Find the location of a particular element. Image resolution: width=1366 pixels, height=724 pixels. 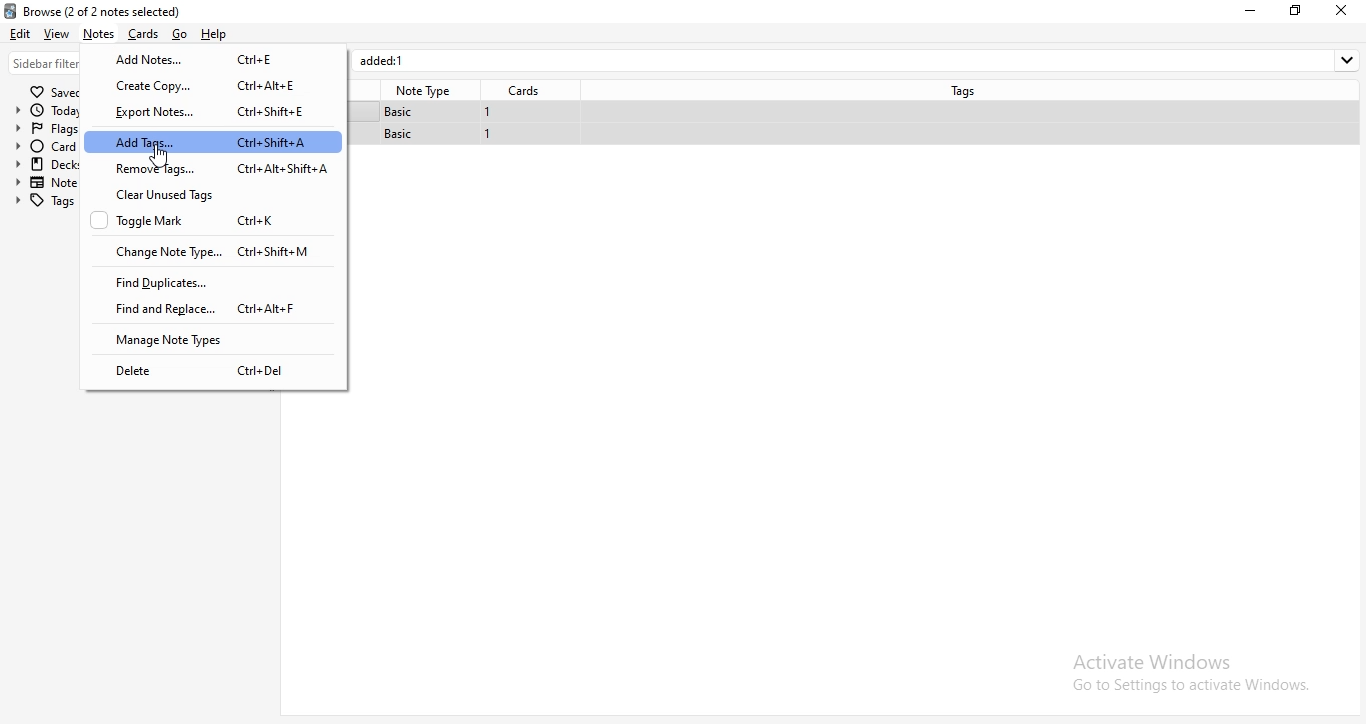

note types is located at coordinates (49, 183).